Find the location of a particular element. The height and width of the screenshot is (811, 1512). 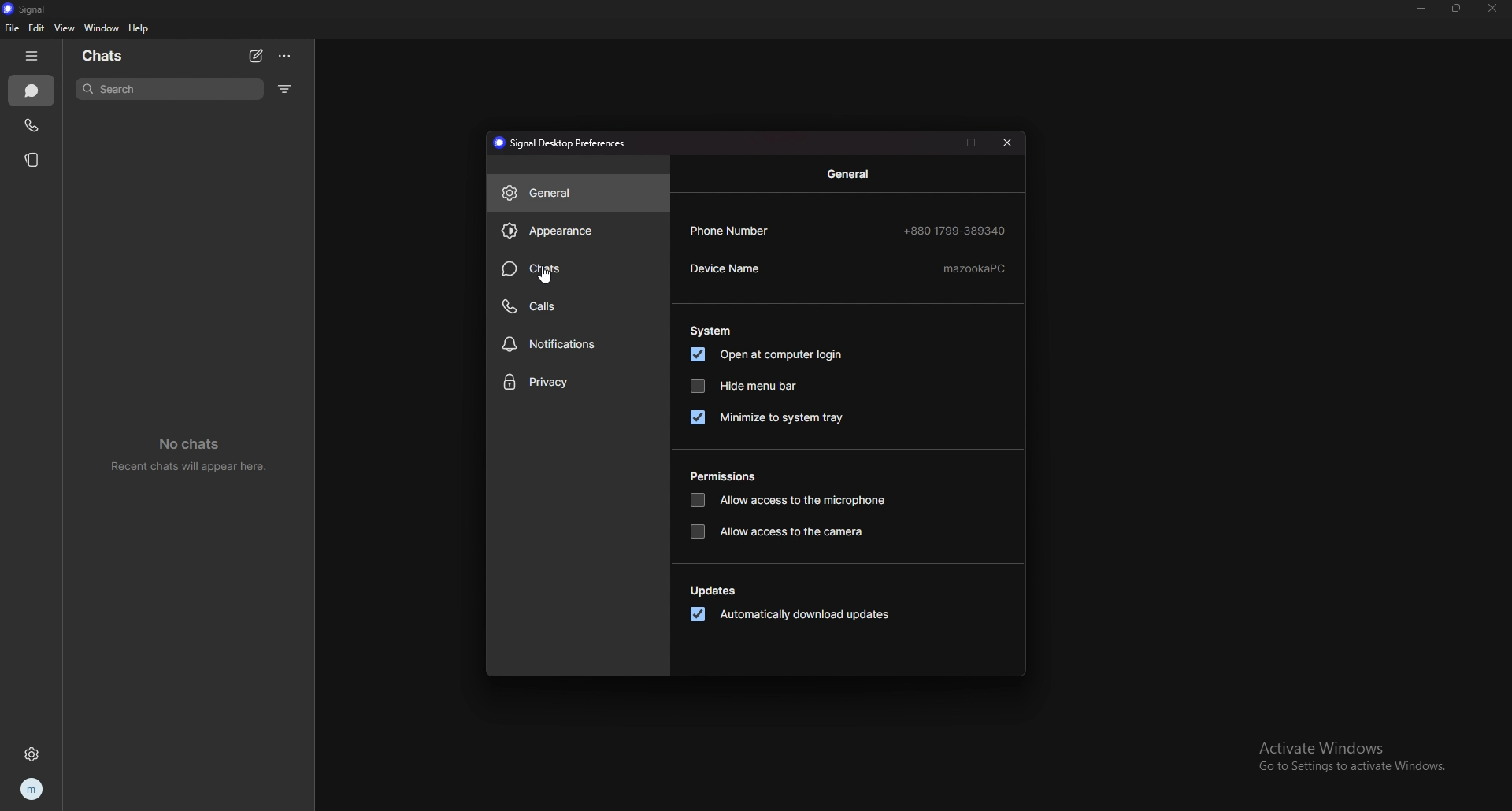

minimize to system tray is located at coordinates (769, 417).